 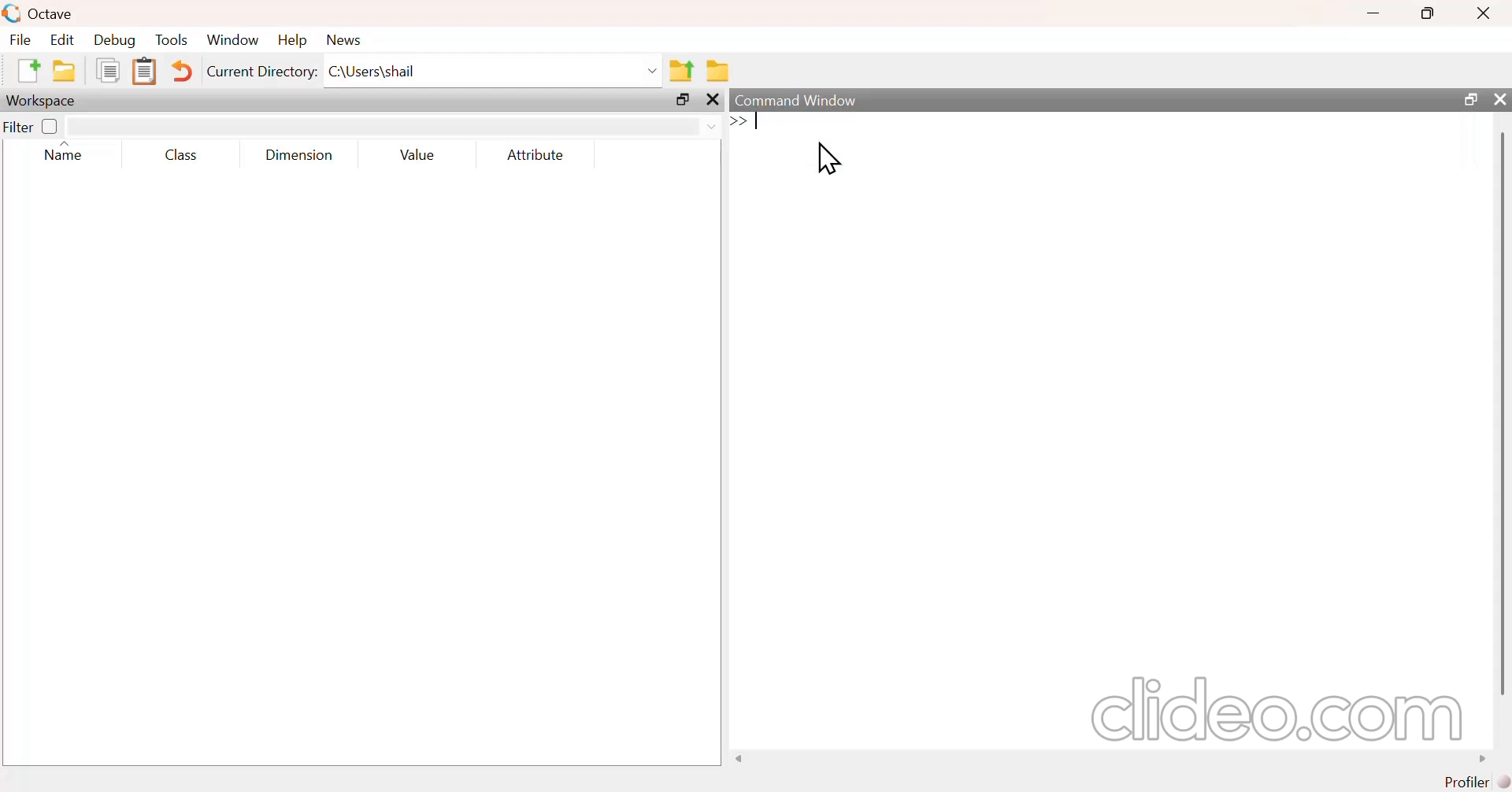 What do you see at coordinates (66, 39) in the screenshot?
I see `edit` at bounding box center [66, 39].